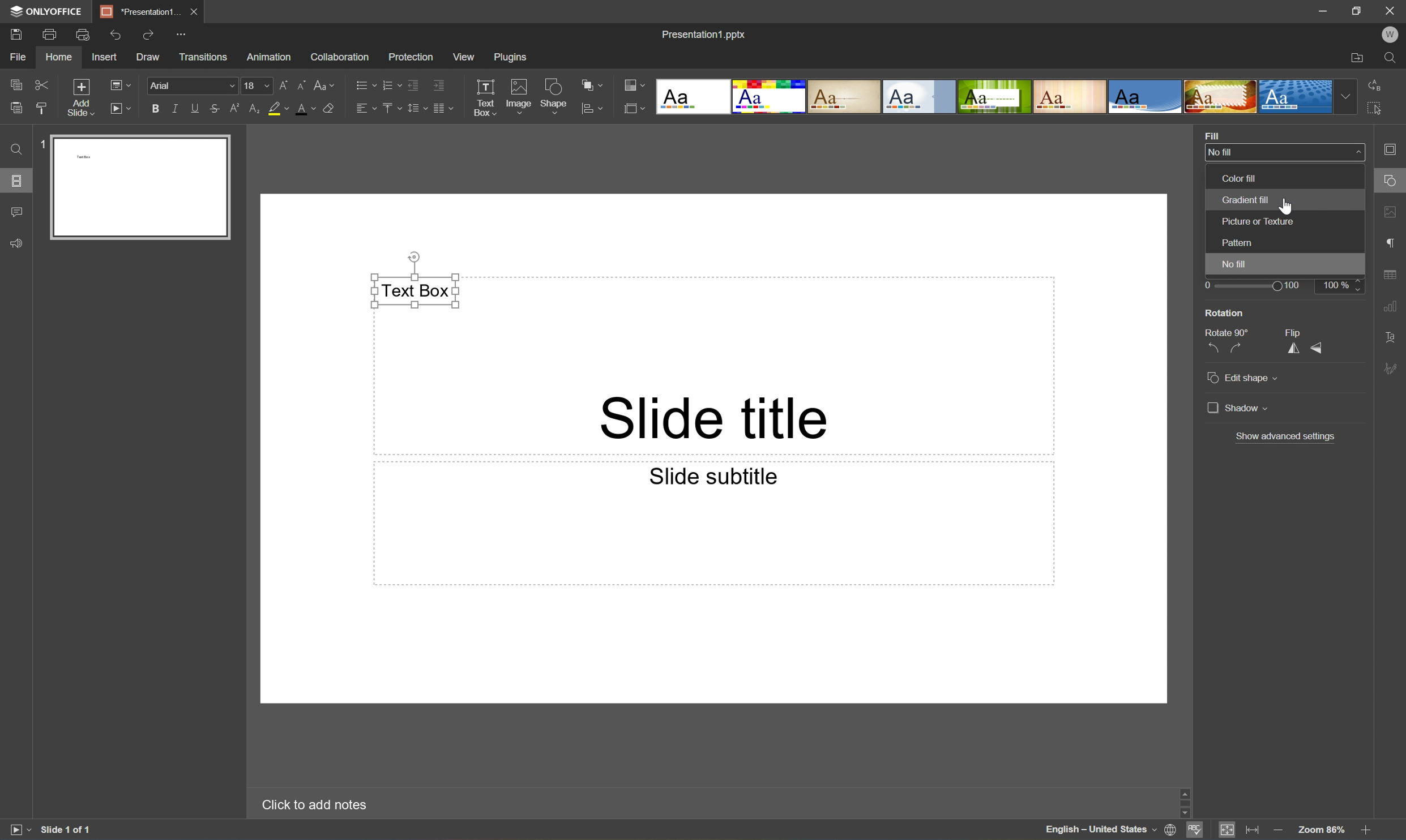 This screenshot has width=1406, height=840. What do you see at coordinates (46, 12) in the screenshot?
I see `ONLYOFFICE` at bounding box center [46, 12].